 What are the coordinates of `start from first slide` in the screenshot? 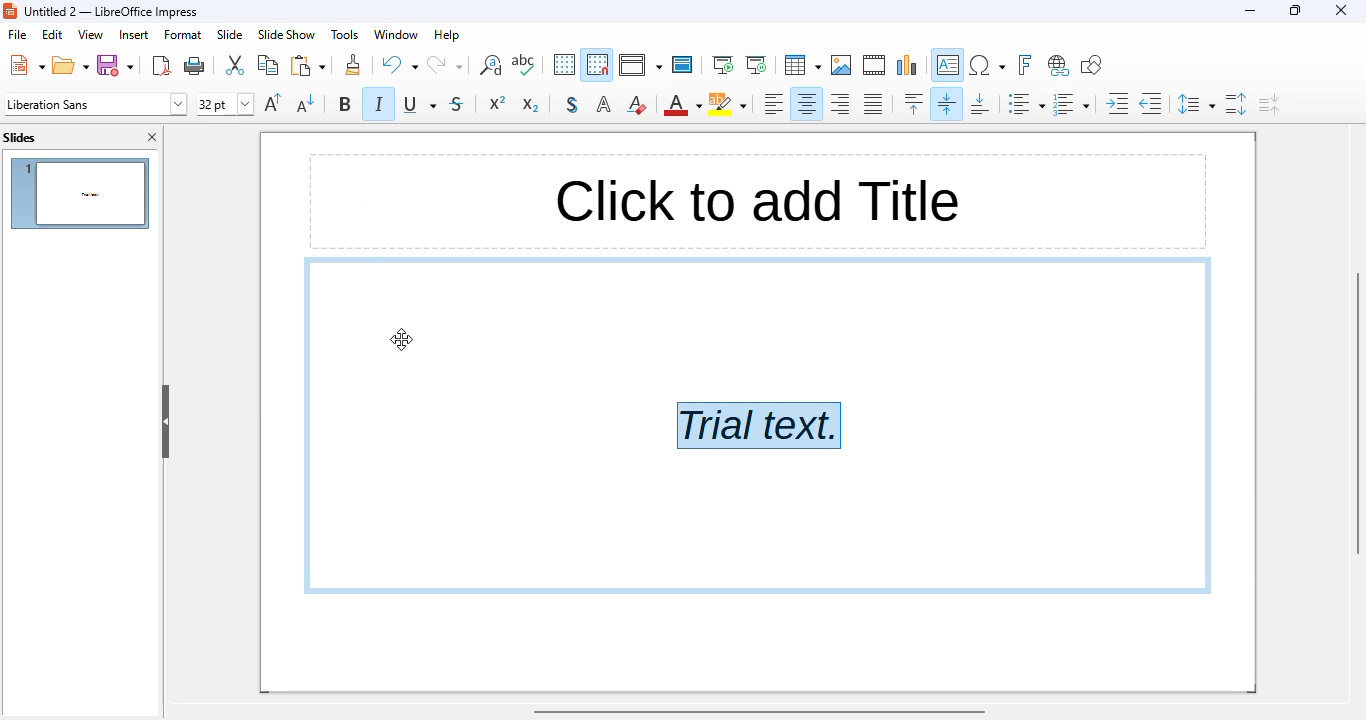 It's located at (724, 65).